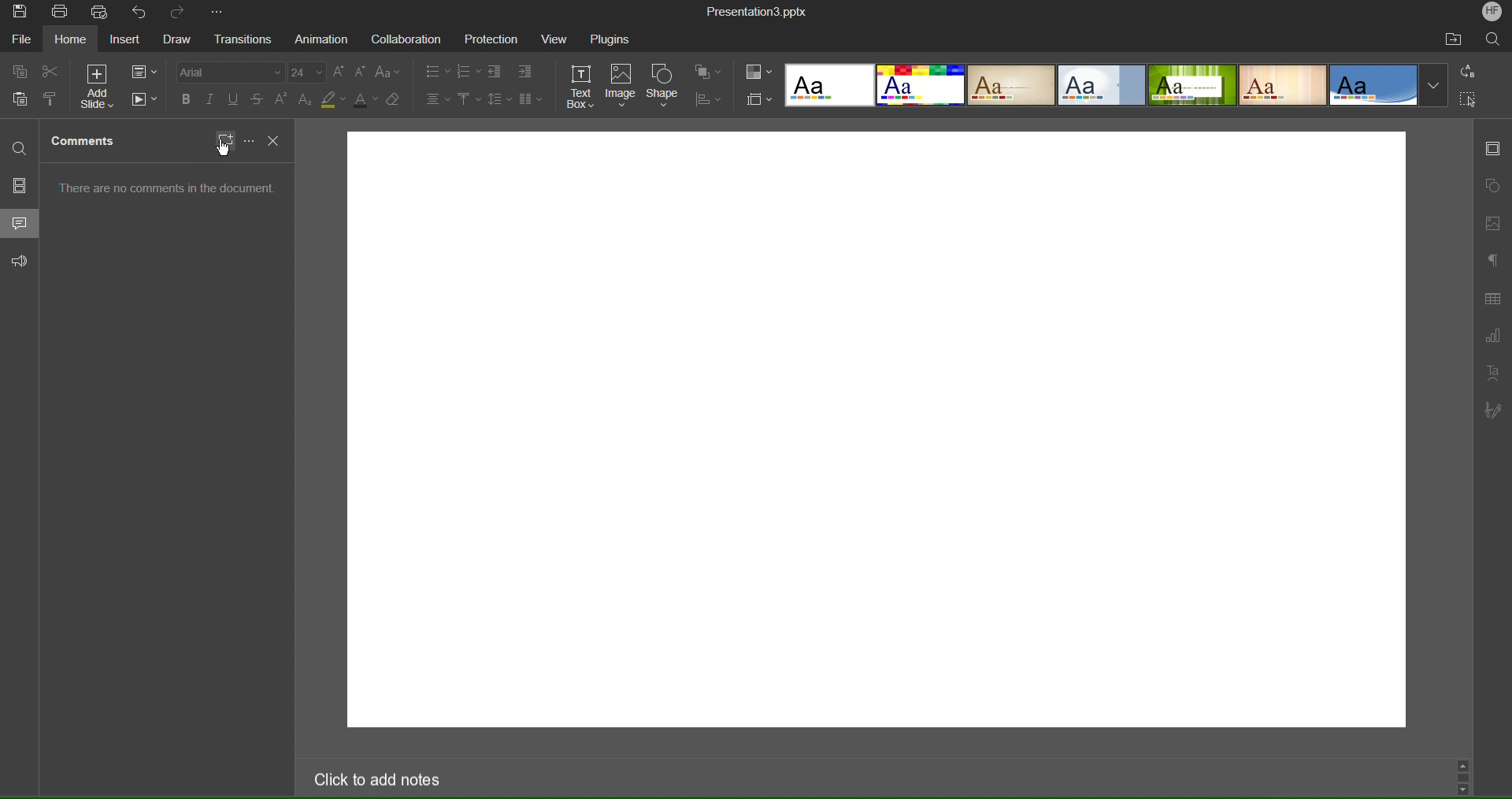  Describe the element at coordinates (169, 192) in the screenshot. I see `There are no comments in the document` at that location.